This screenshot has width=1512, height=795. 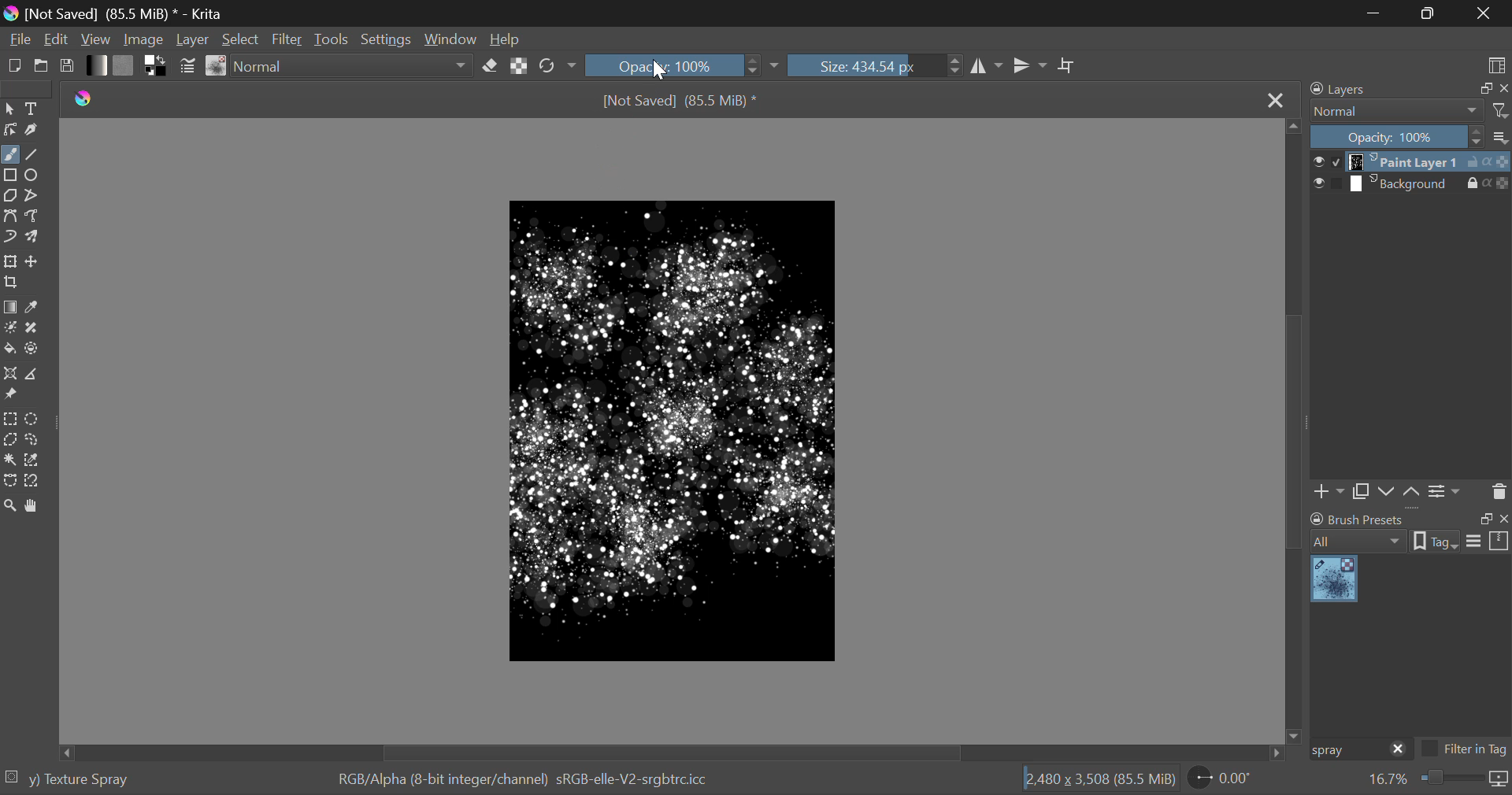 I want to click on Opacity, so click(x=684, y=65).